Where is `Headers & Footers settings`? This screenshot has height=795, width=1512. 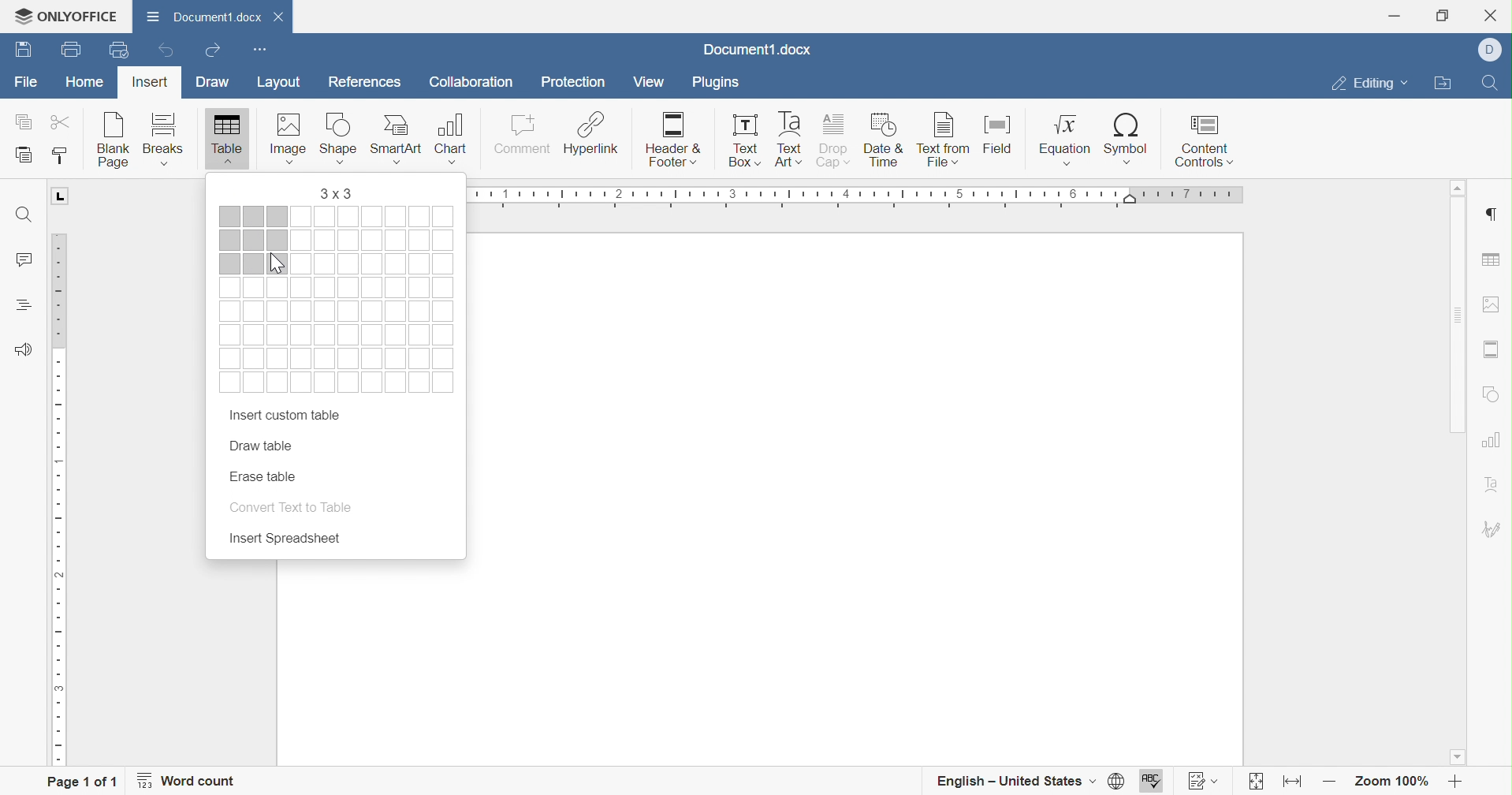 Headers & Footers settings is located at coordinates (1491, 352).